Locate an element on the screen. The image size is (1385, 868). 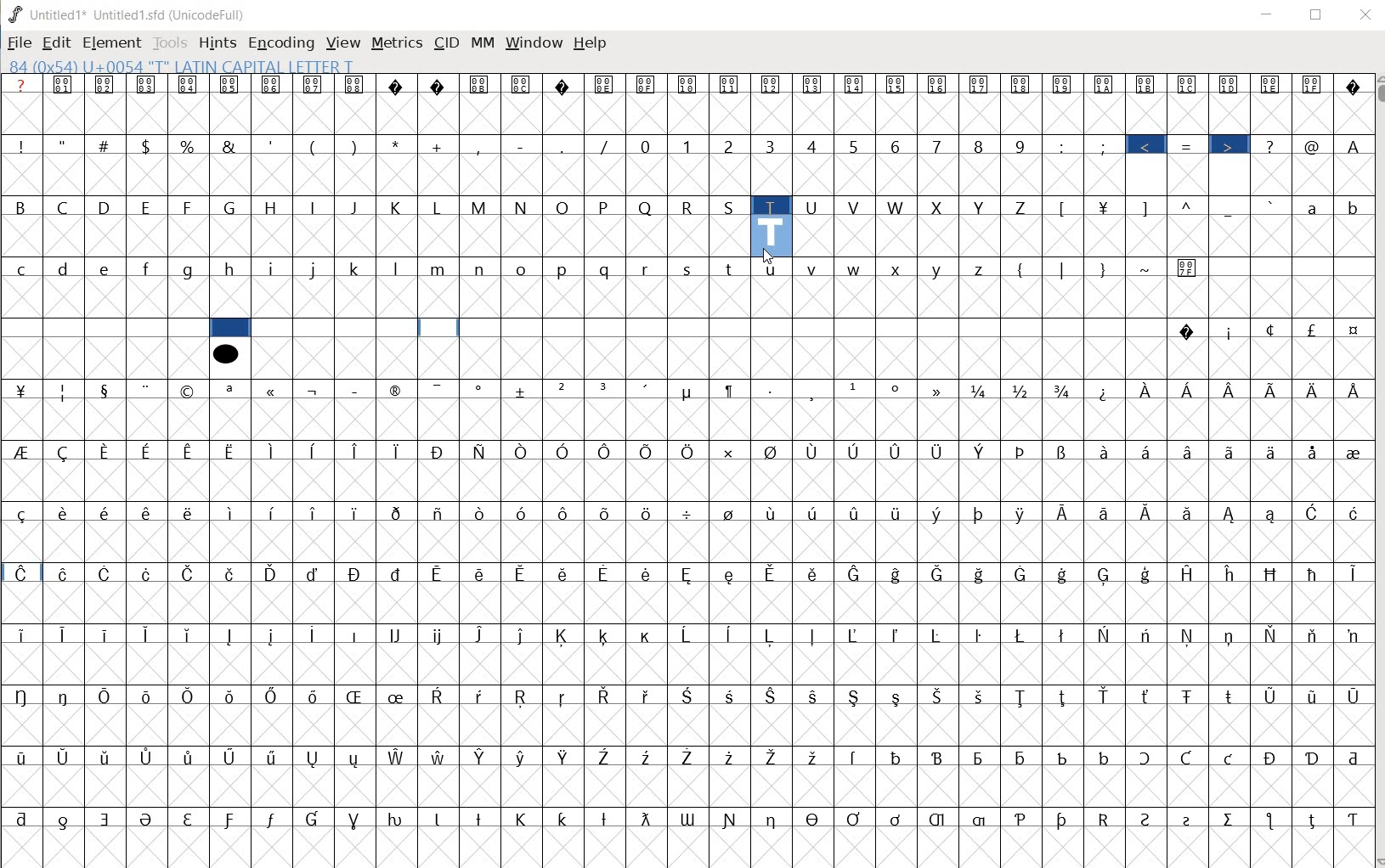
Symbol is located at coordinates (1150, 573).